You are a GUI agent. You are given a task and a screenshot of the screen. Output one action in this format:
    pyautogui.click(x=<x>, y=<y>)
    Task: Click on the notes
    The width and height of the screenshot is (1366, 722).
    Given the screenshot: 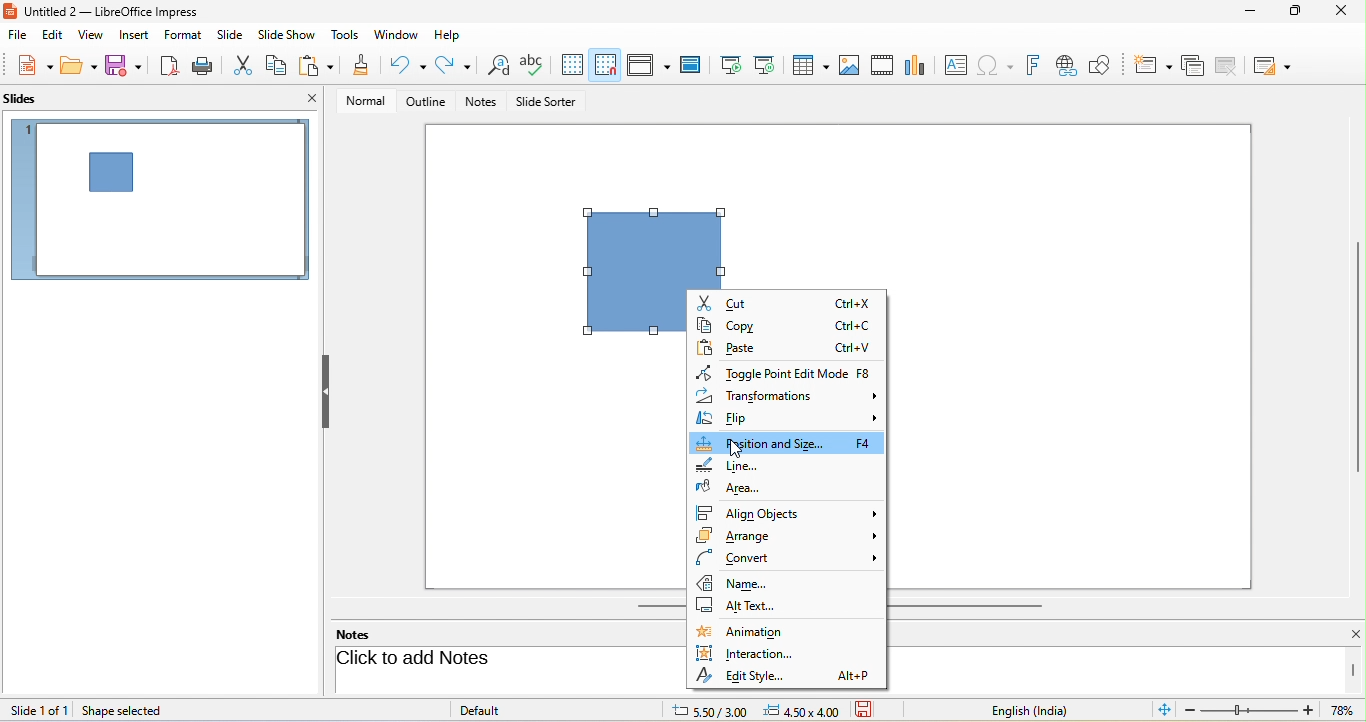 What is the action you would take?
    pyautogui.click(x=483, y=103)
    